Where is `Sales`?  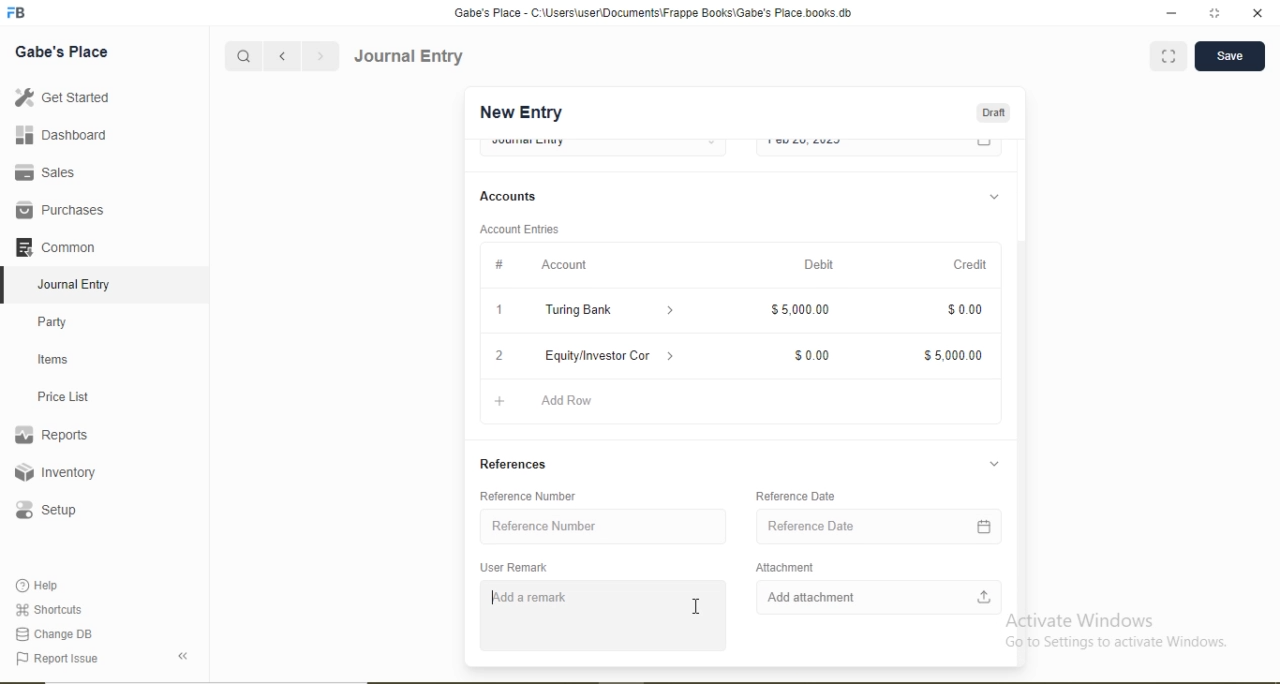 Sales is located at coordinates (42, 172).